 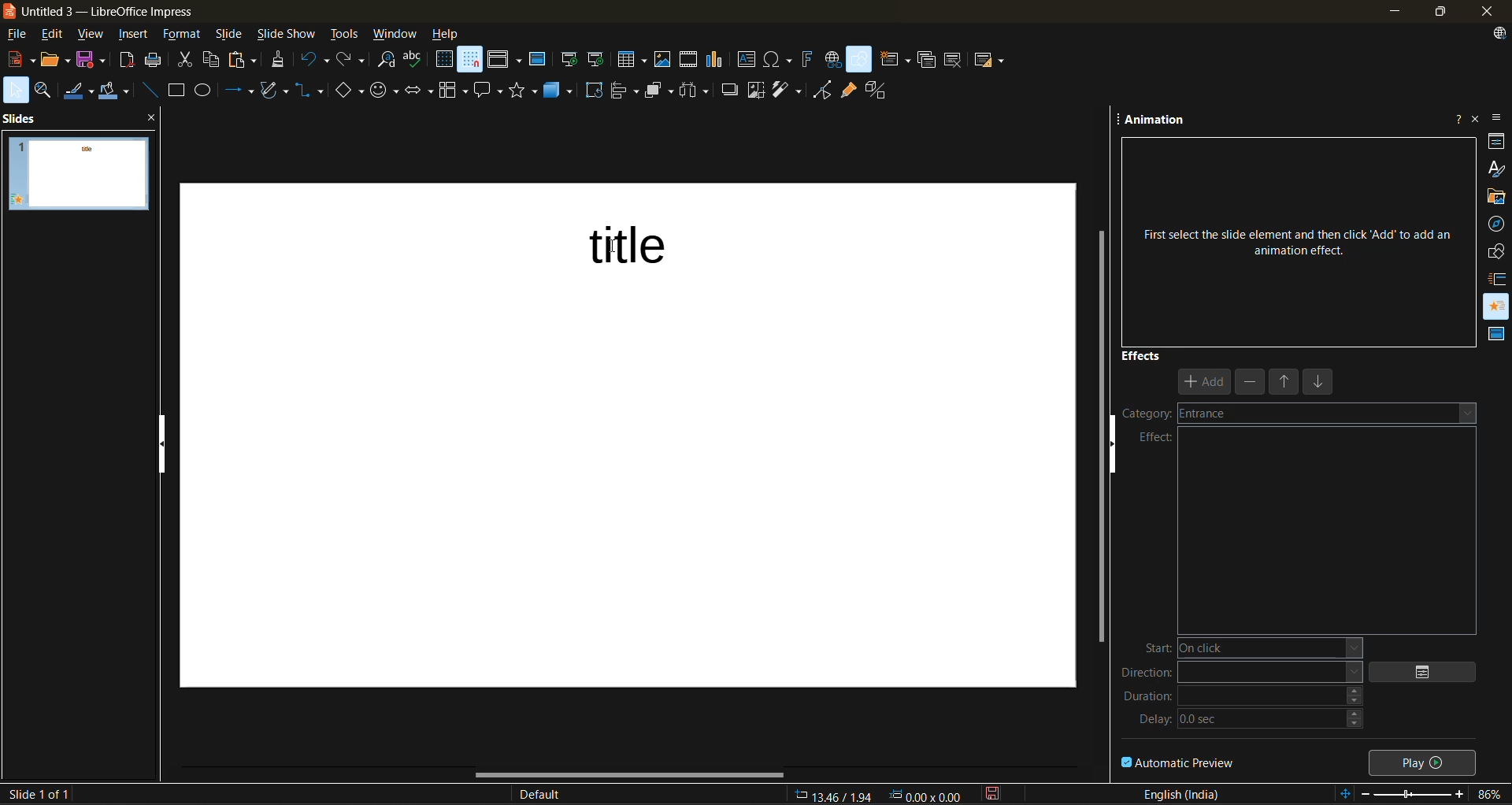 I want to click on click to save, so click(x=995, y=793).